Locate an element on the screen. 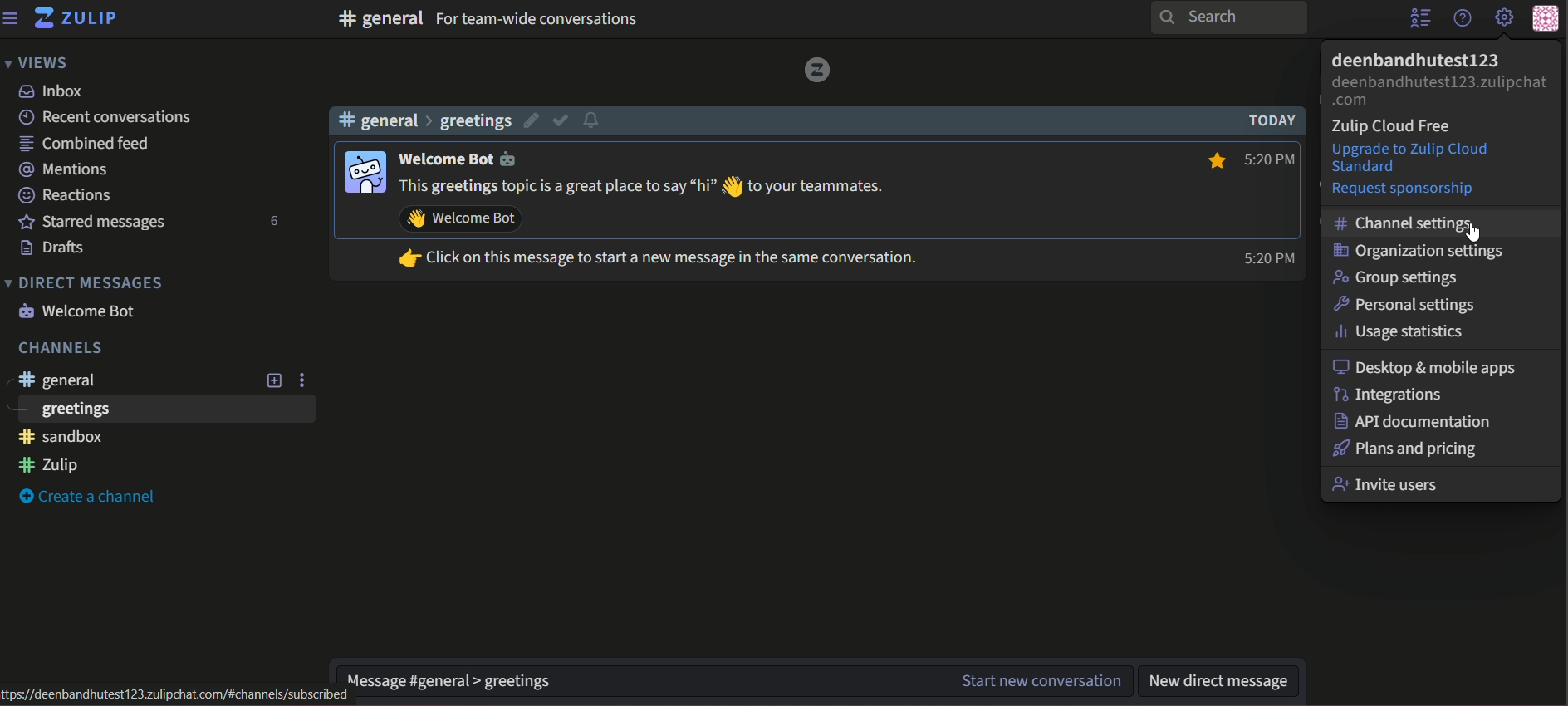  search is located at coordinates (1231, 17).